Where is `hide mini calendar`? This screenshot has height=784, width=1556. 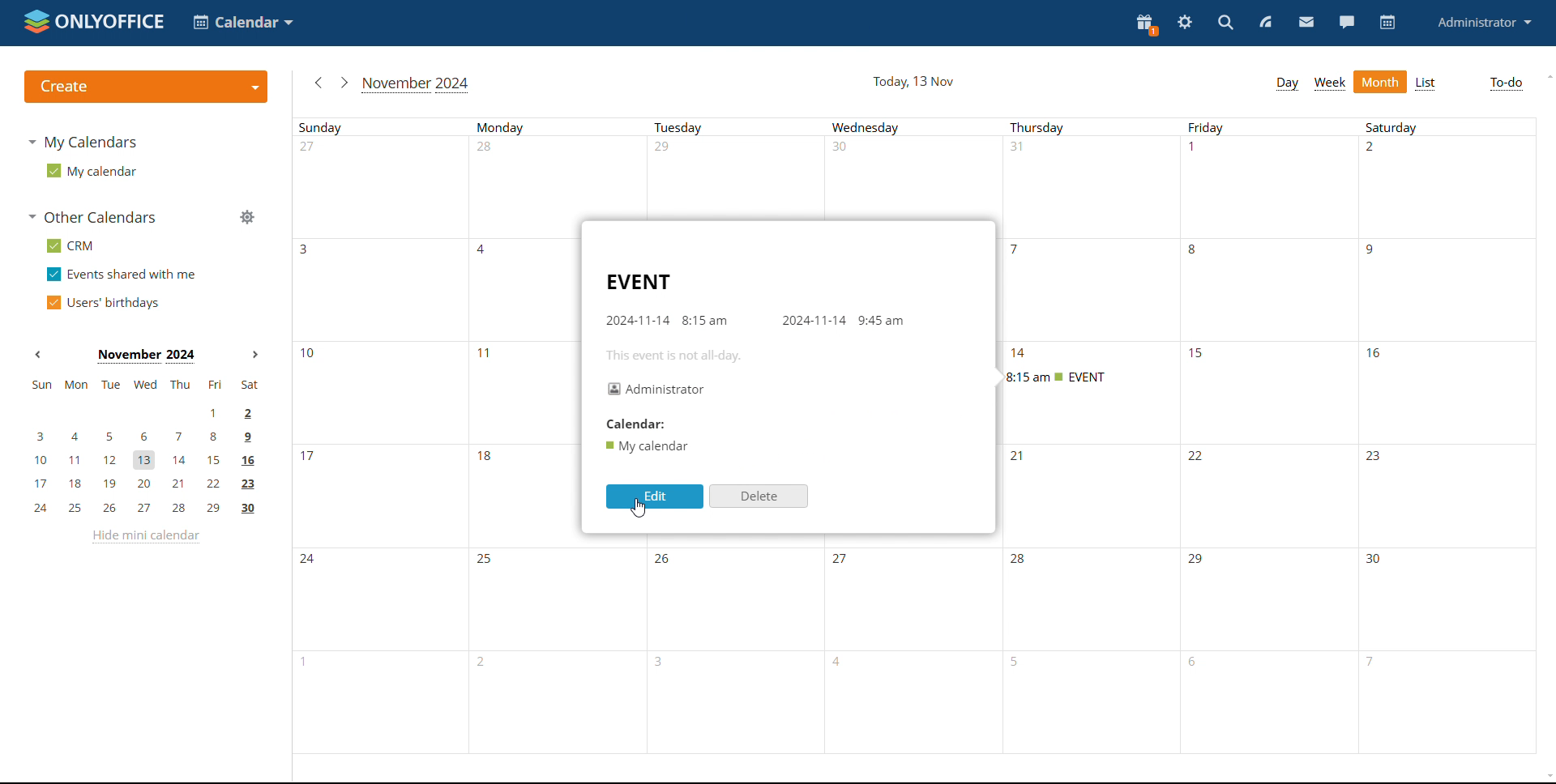
hide mini calendar is located at coordinates (143, 536).